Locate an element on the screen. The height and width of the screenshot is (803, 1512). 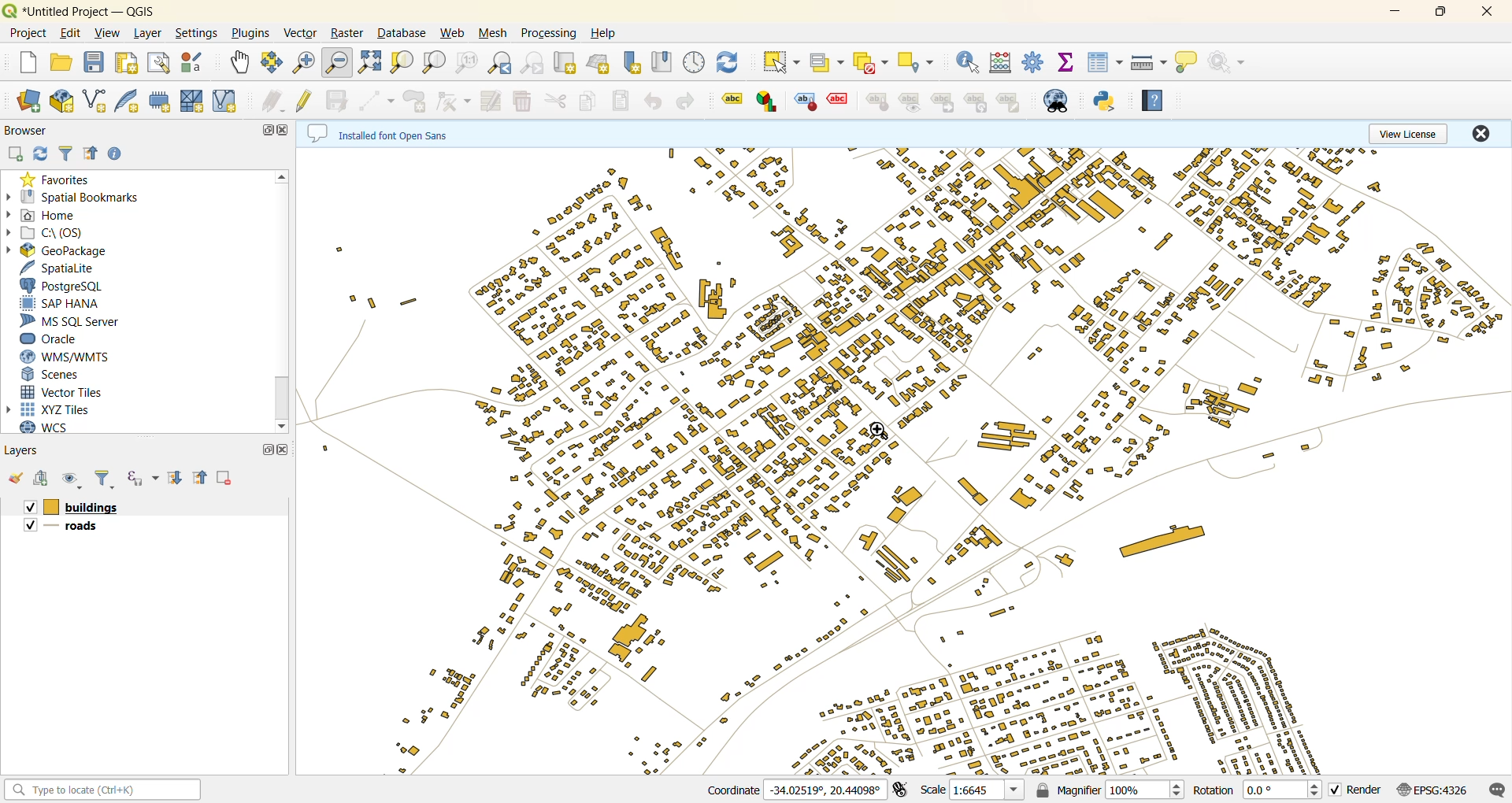
layers is located at coordinates (69, 527).